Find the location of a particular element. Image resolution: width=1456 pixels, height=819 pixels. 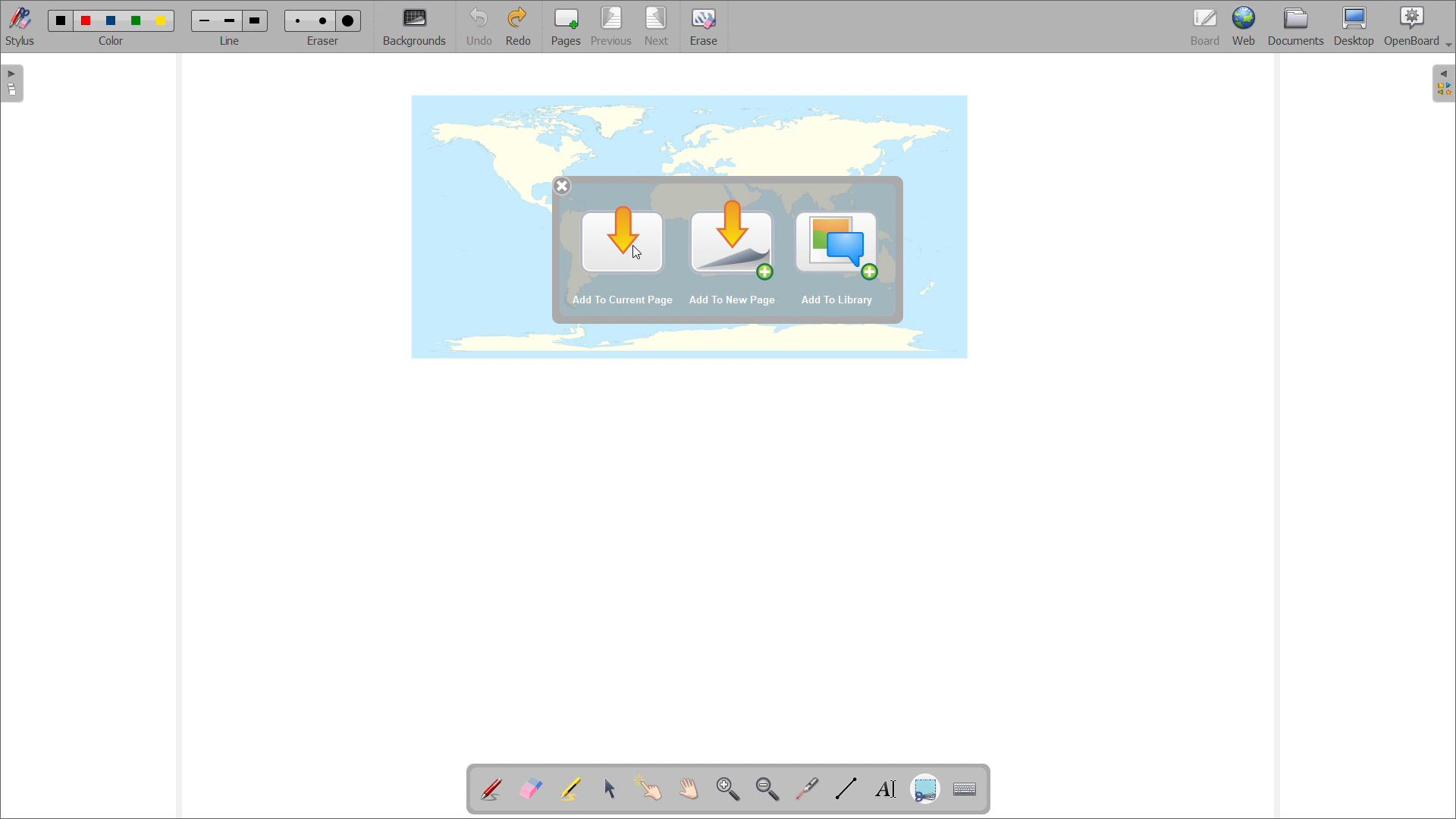

small is located at coordinates (296, 20).